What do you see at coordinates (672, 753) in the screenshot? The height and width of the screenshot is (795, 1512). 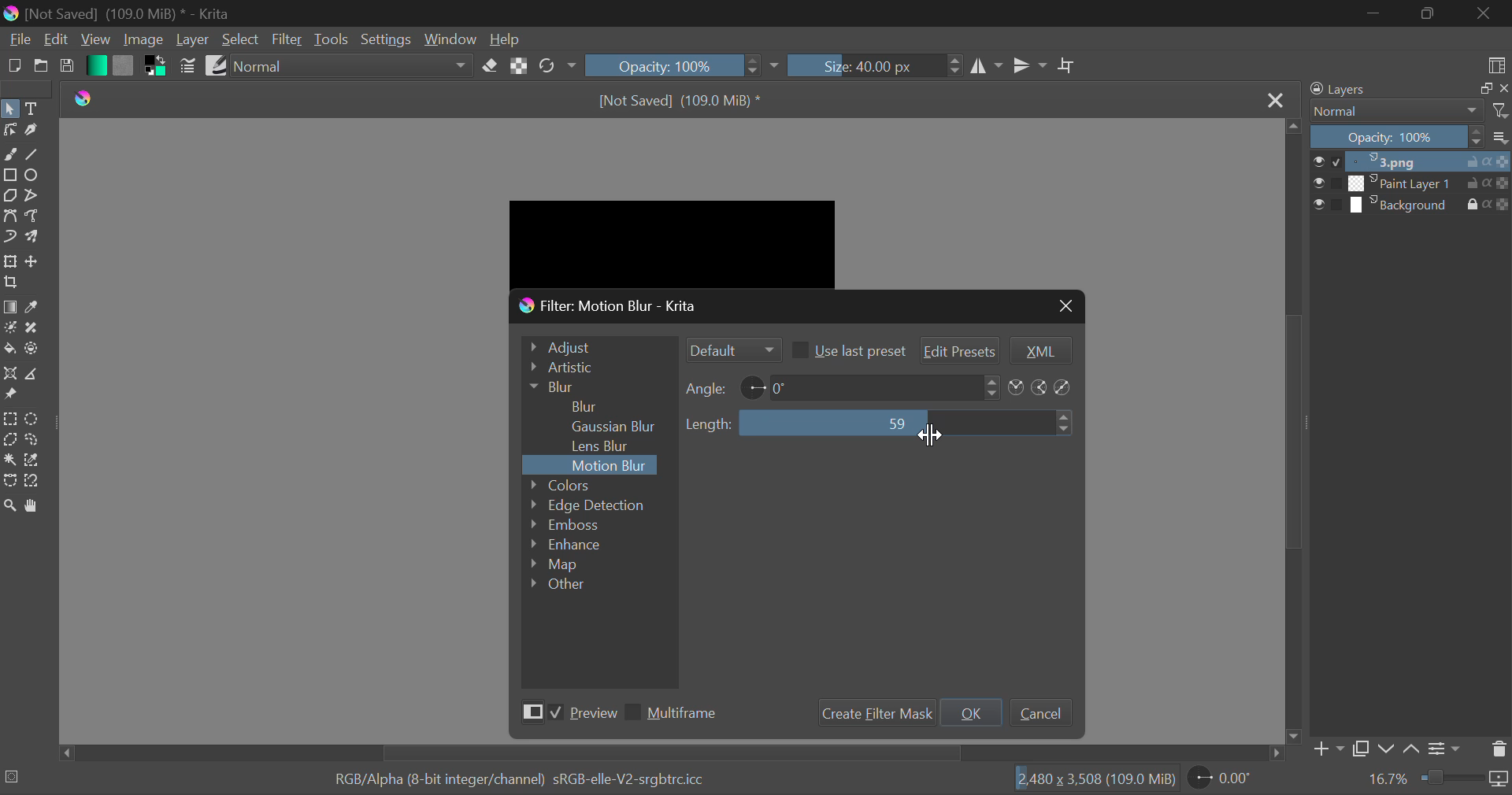 I see `Scroll Bar` at bounding box center [672, 753].